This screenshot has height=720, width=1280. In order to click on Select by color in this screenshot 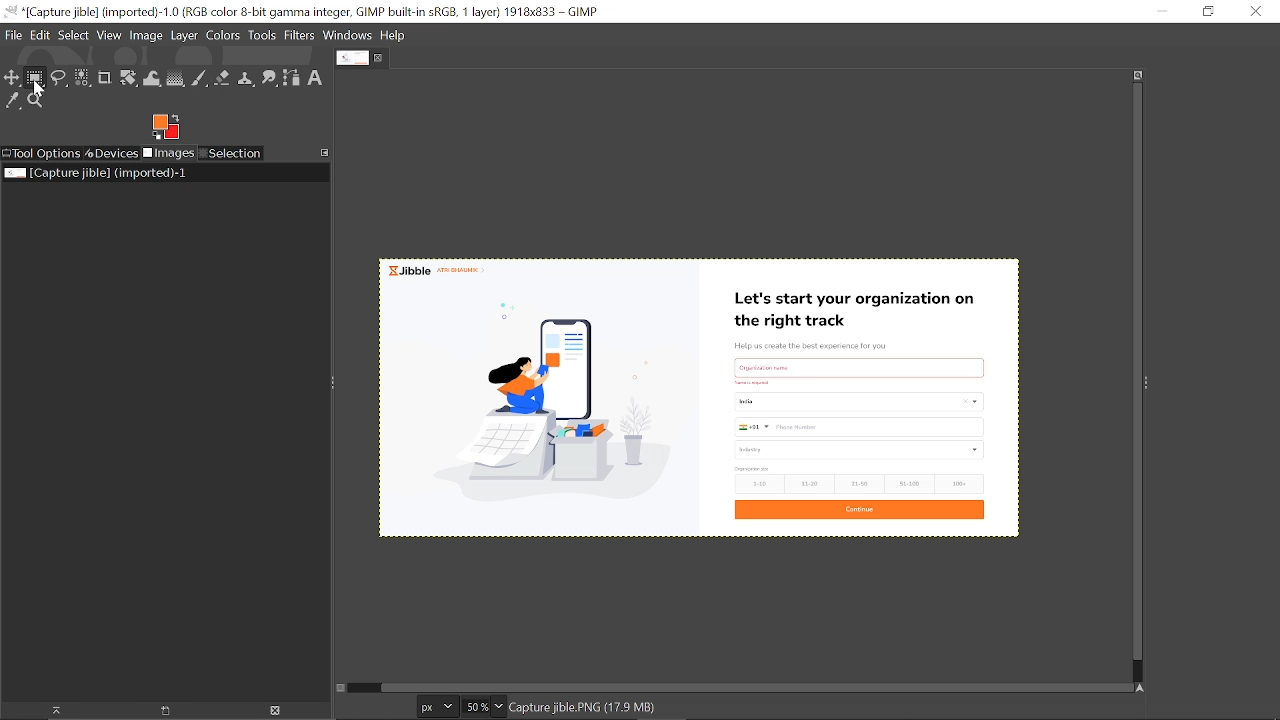, I will do `click(82, 79)`.